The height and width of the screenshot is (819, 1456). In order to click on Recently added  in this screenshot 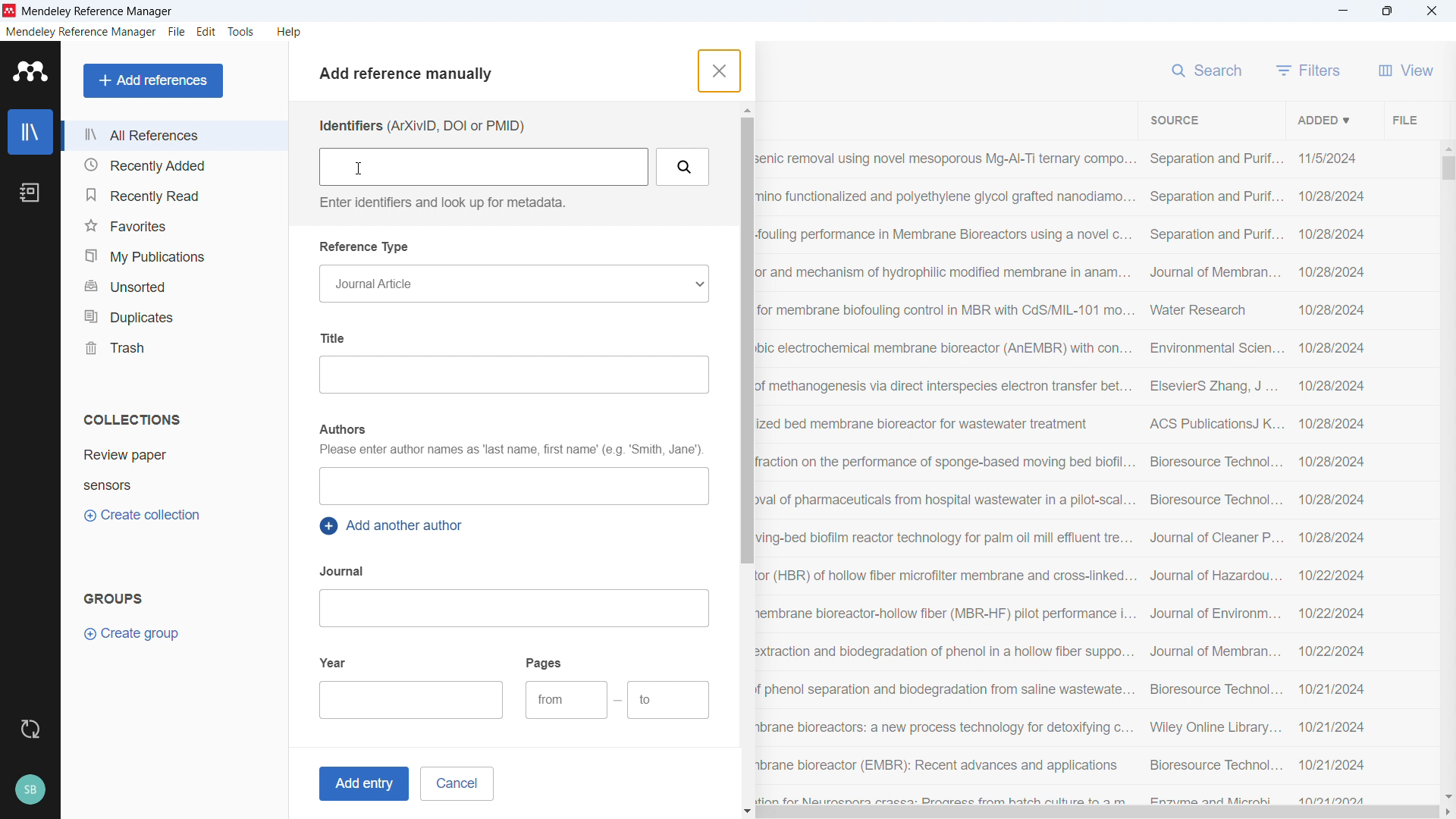, I will do `click(171, 165)`.